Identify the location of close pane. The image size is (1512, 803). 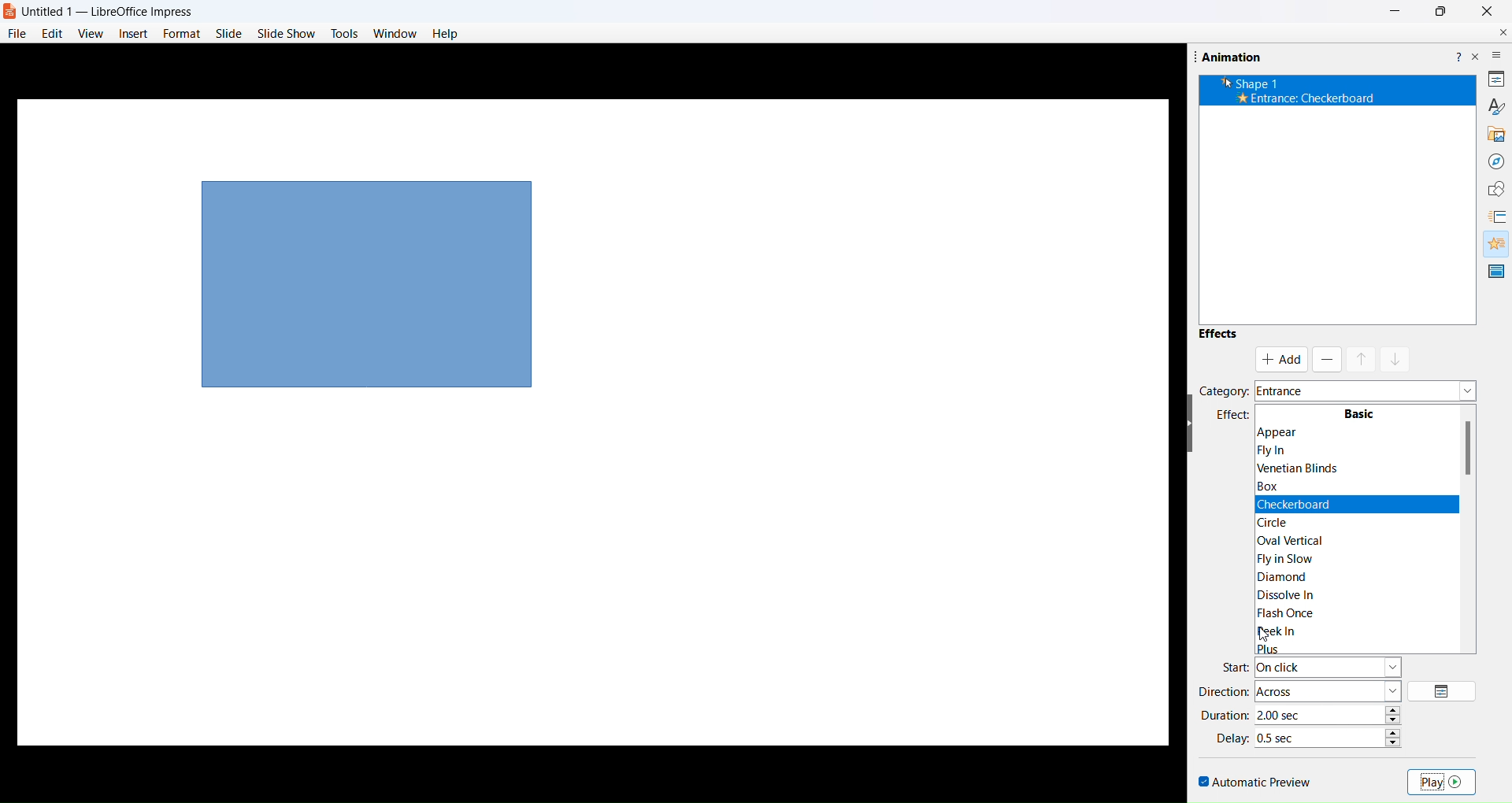
(1476, 56).